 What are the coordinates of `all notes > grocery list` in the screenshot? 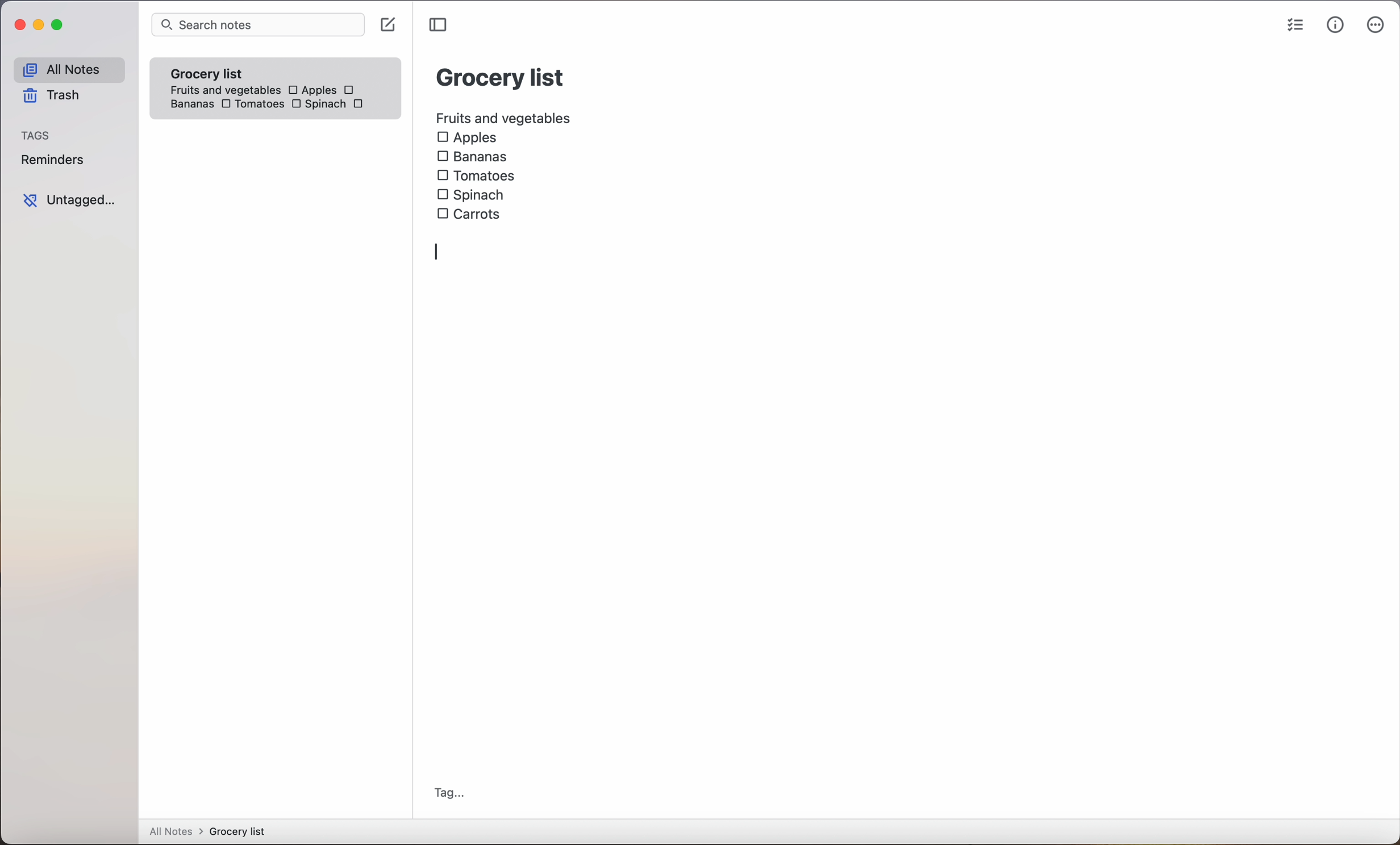 It's located at (212, 833).